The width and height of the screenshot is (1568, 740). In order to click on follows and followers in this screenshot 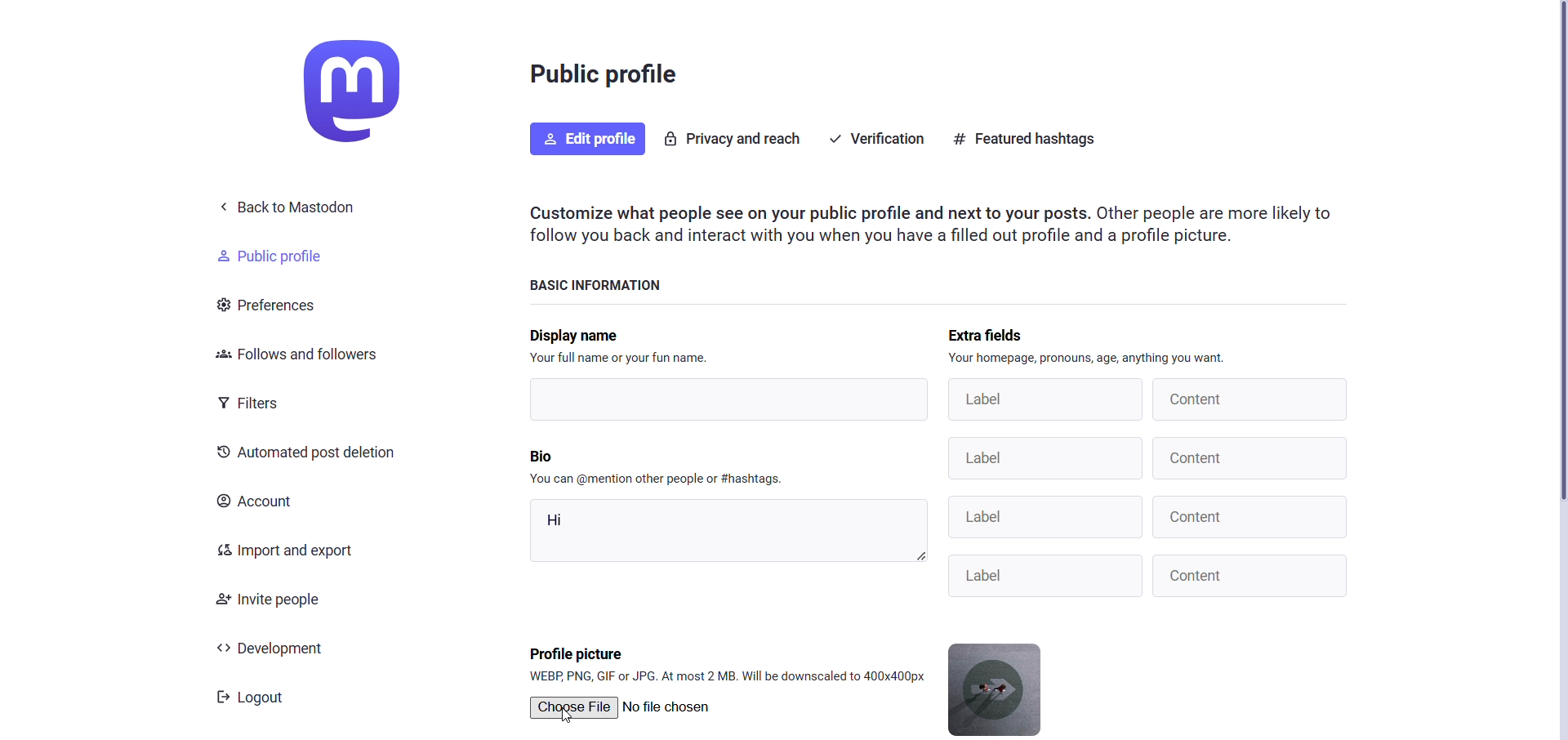, I will do `click(291, 351)`.